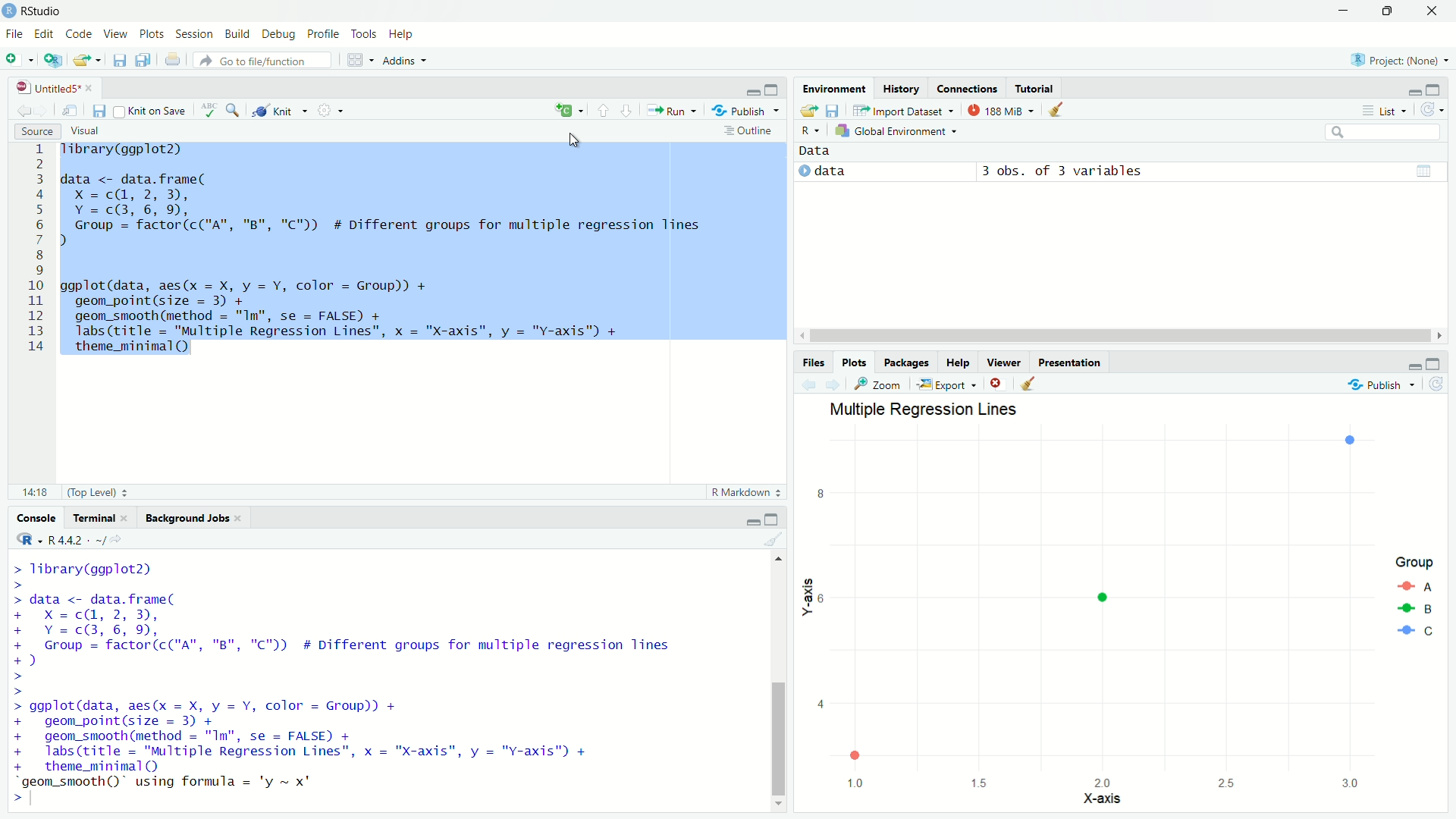  Describe the element at coordinates (206, 110) in the screenshot. I see `abc` at that location.